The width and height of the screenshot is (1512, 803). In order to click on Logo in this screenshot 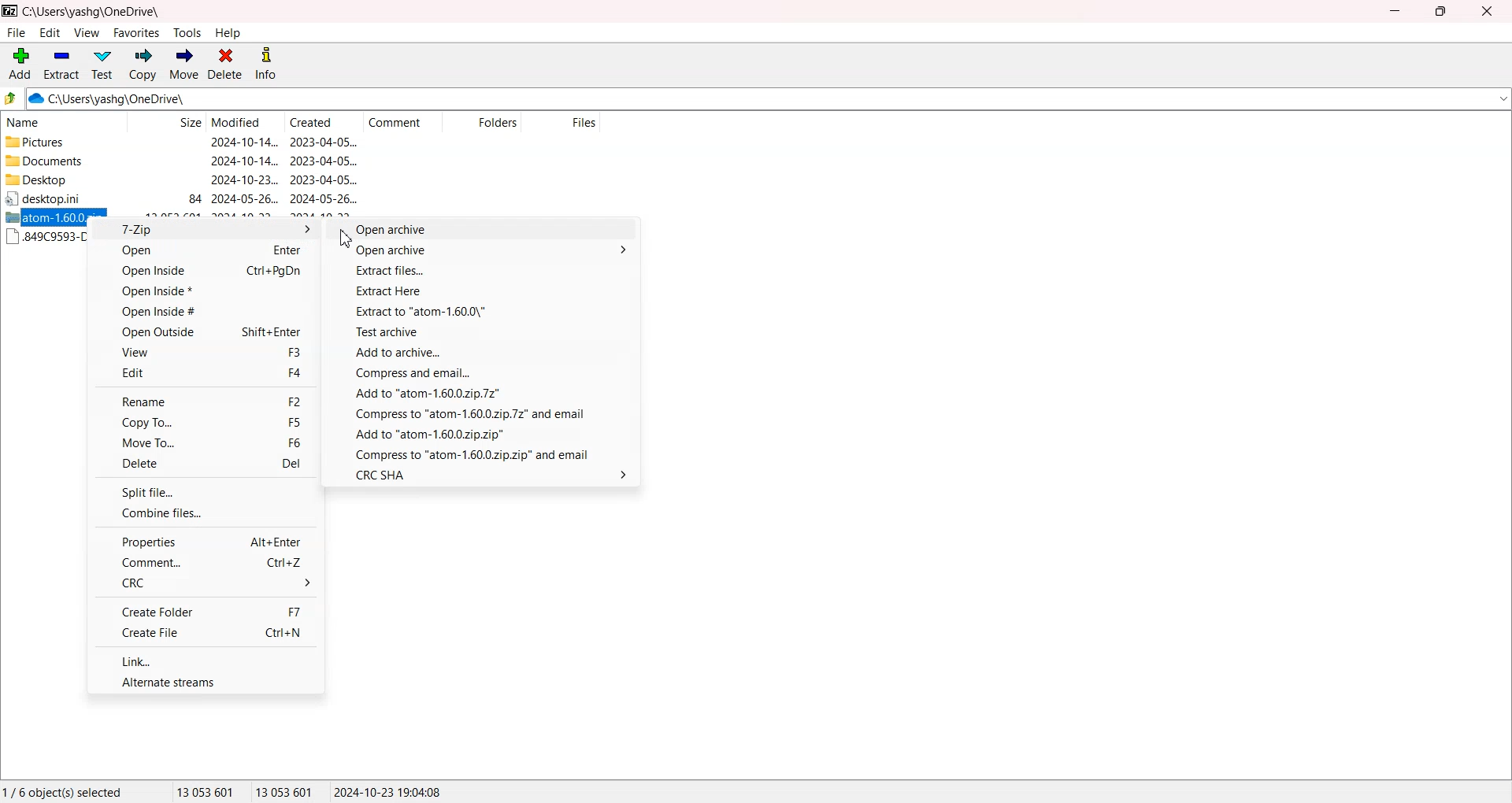, I will do `click(10, 10)`.